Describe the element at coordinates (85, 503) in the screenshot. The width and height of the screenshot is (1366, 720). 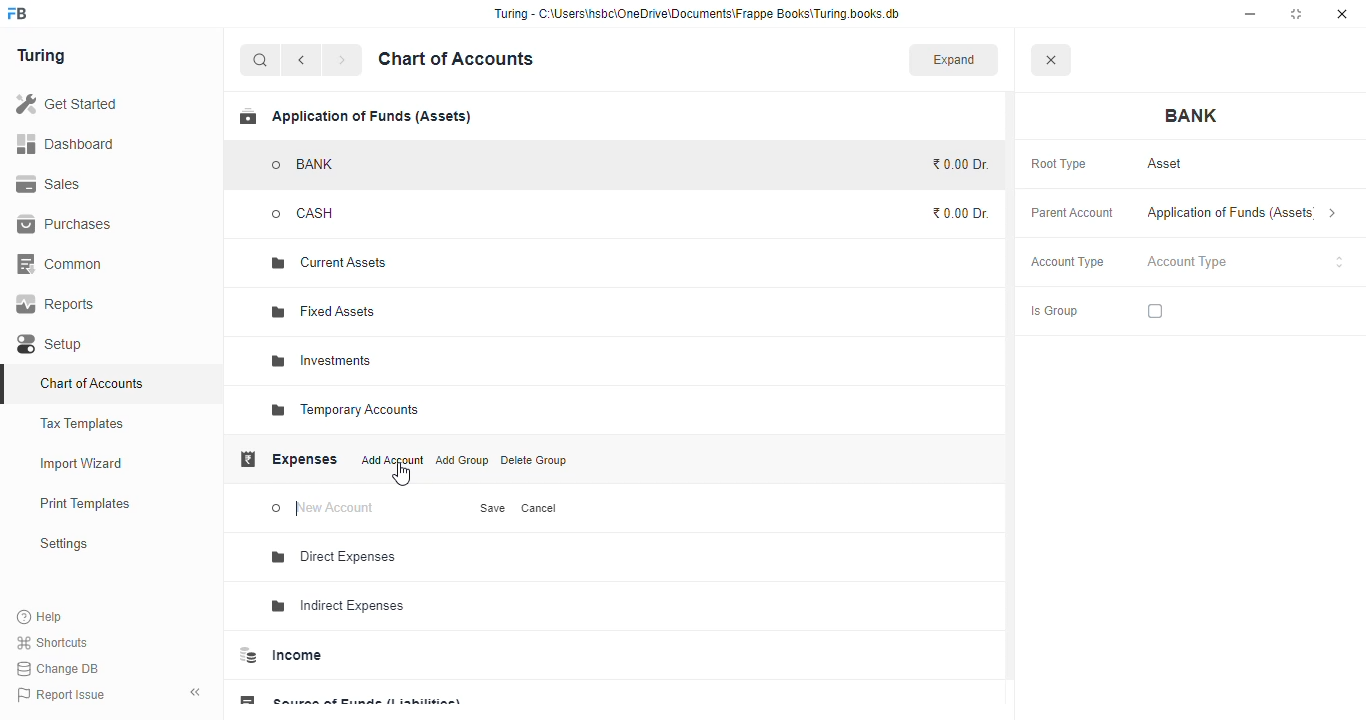
I see `print templates` at that location.